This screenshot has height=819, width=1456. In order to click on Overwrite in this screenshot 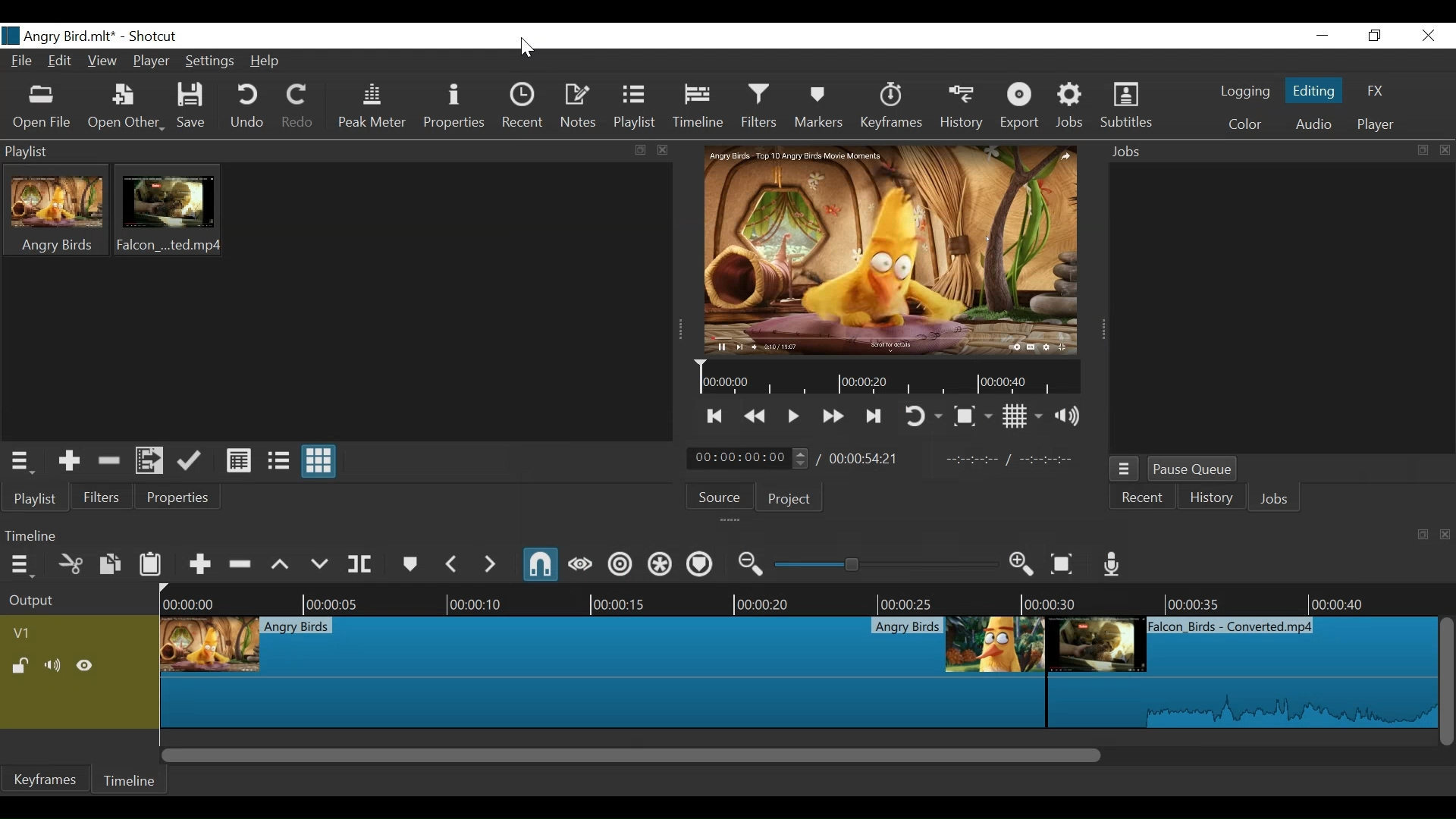, I will do `click(321, 565)`.